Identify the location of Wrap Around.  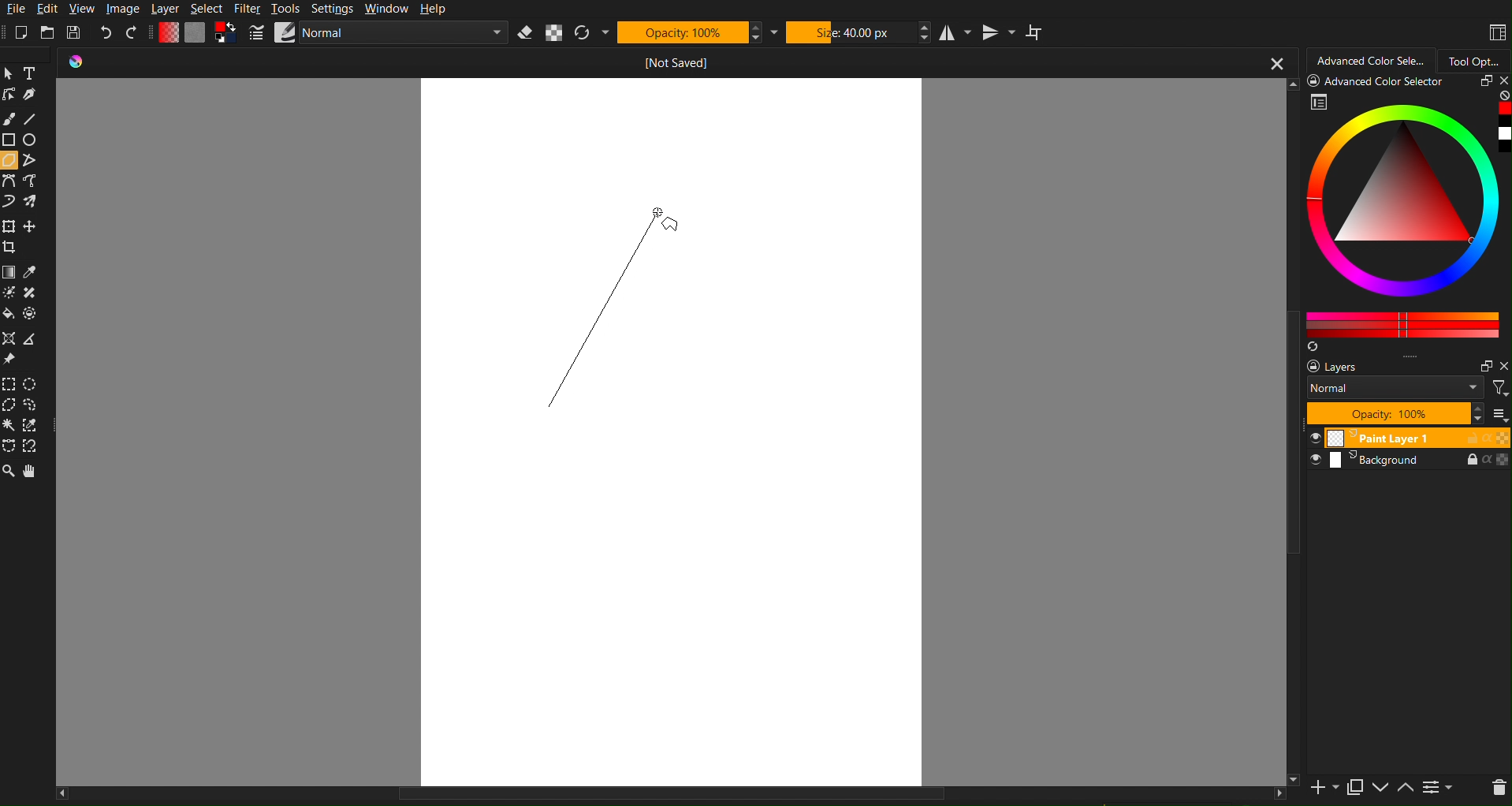
(1035, 33).